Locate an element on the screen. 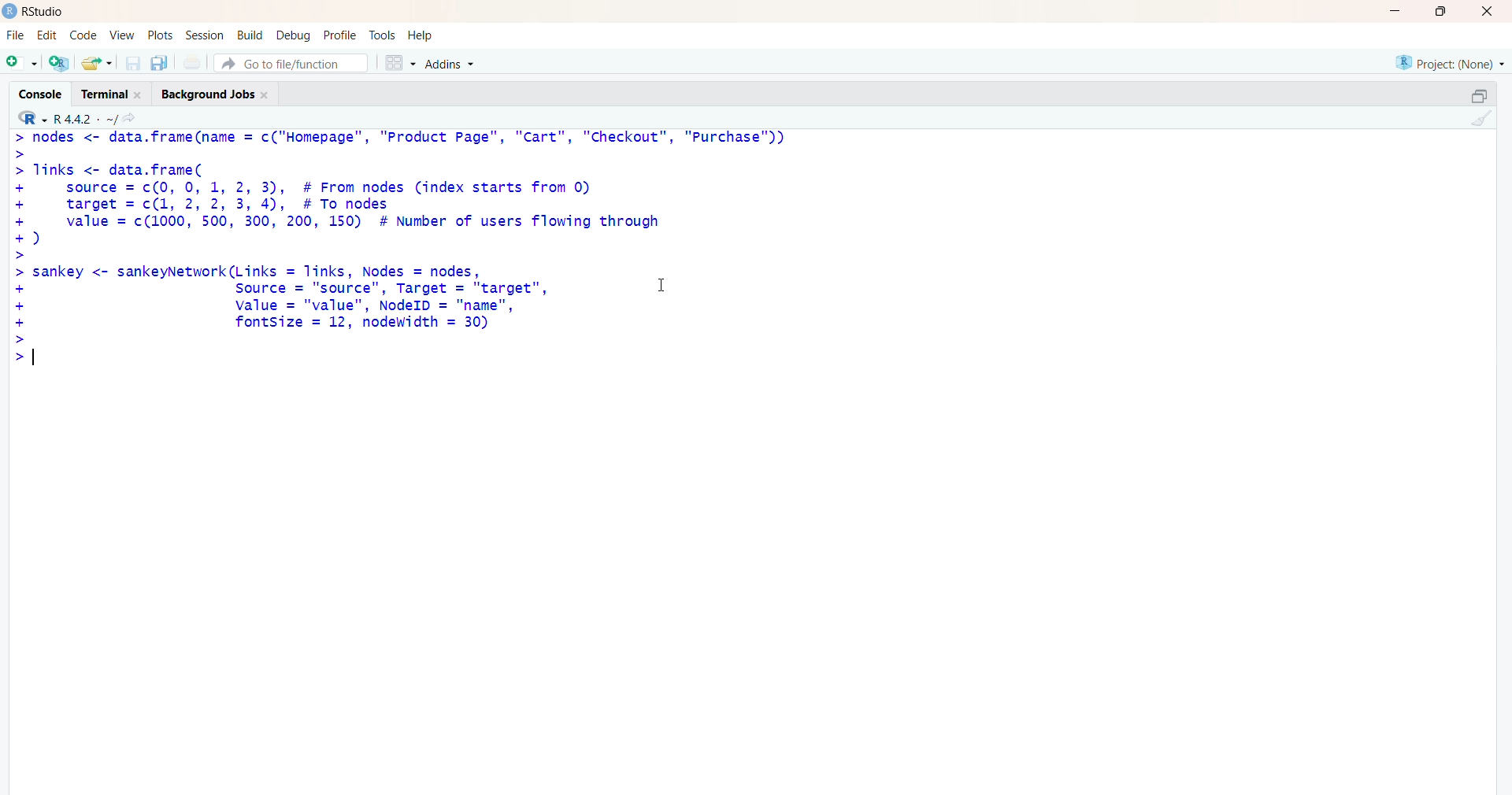  clear is located at coordinates (1486, 121).